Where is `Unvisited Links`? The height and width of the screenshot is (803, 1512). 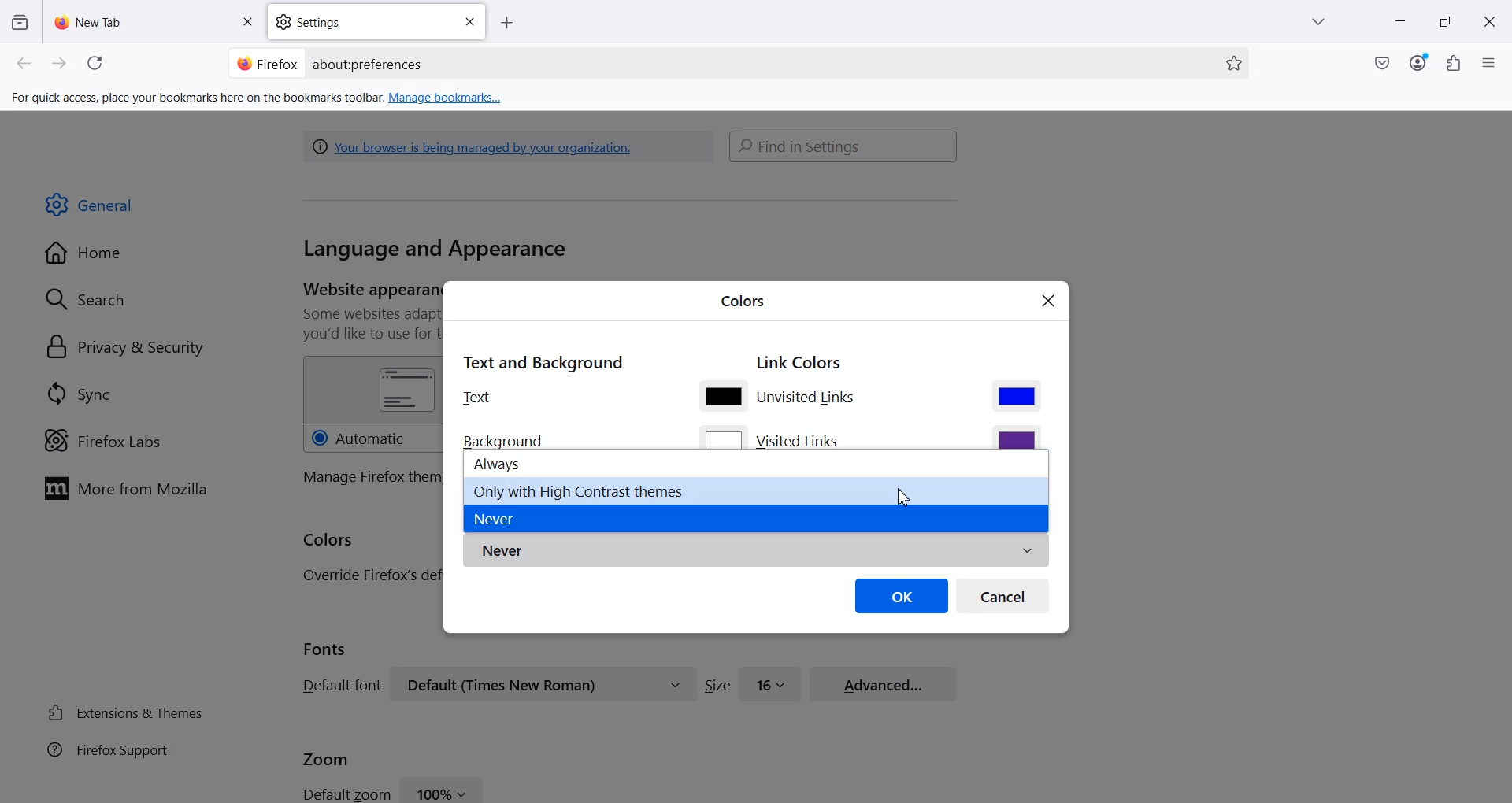 Unvisited Links is located at coordinates (809, 399).